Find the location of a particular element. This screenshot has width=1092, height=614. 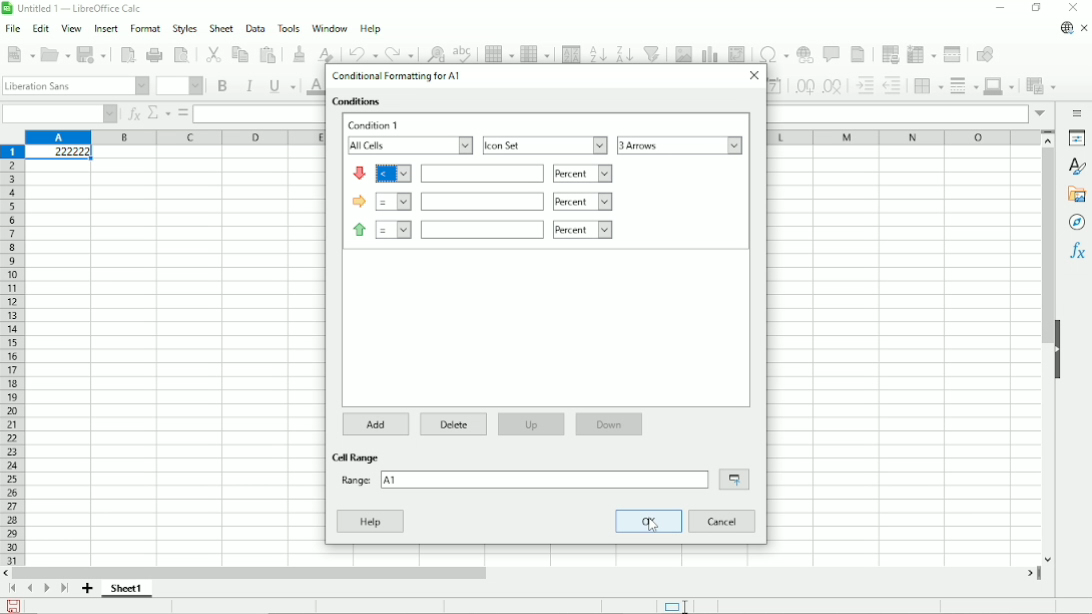

Horizontal scrollbar is located at coordinates (254, 572).